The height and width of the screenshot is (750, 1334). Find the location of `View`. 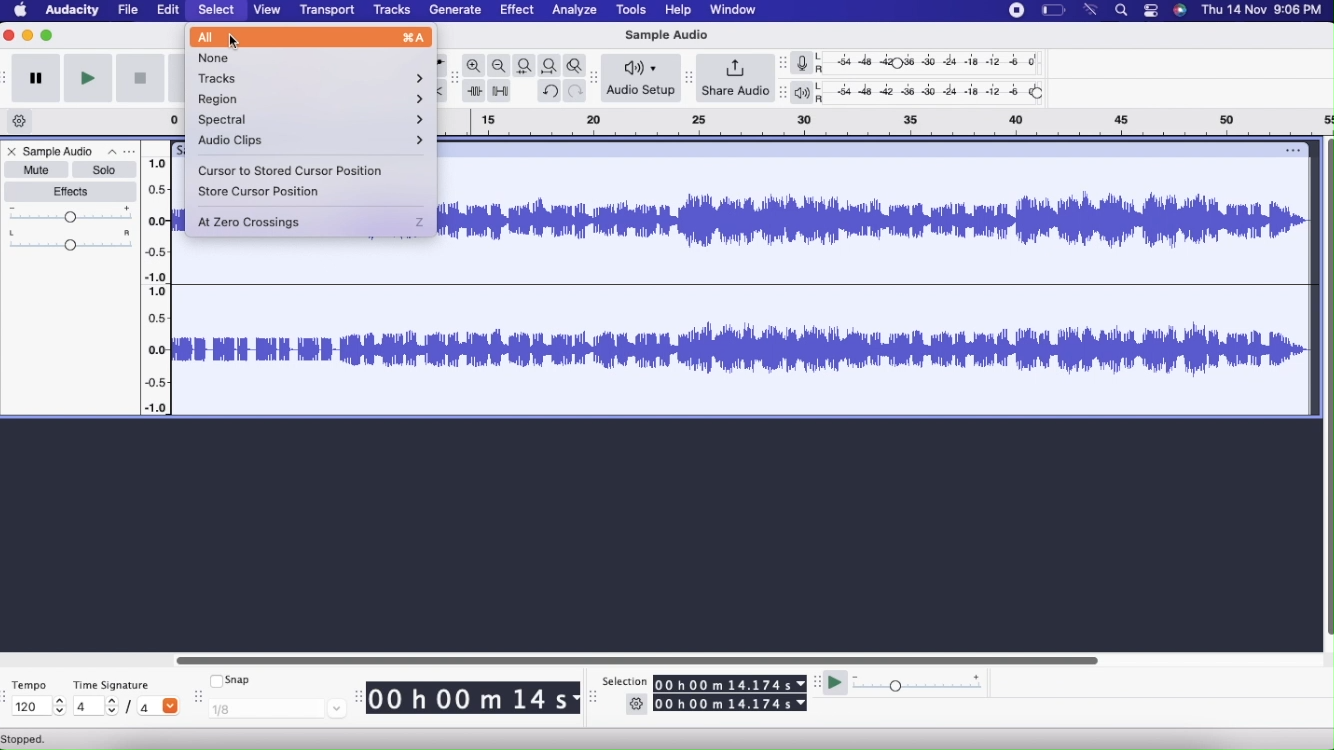

View is located at coordinates (268, 9).